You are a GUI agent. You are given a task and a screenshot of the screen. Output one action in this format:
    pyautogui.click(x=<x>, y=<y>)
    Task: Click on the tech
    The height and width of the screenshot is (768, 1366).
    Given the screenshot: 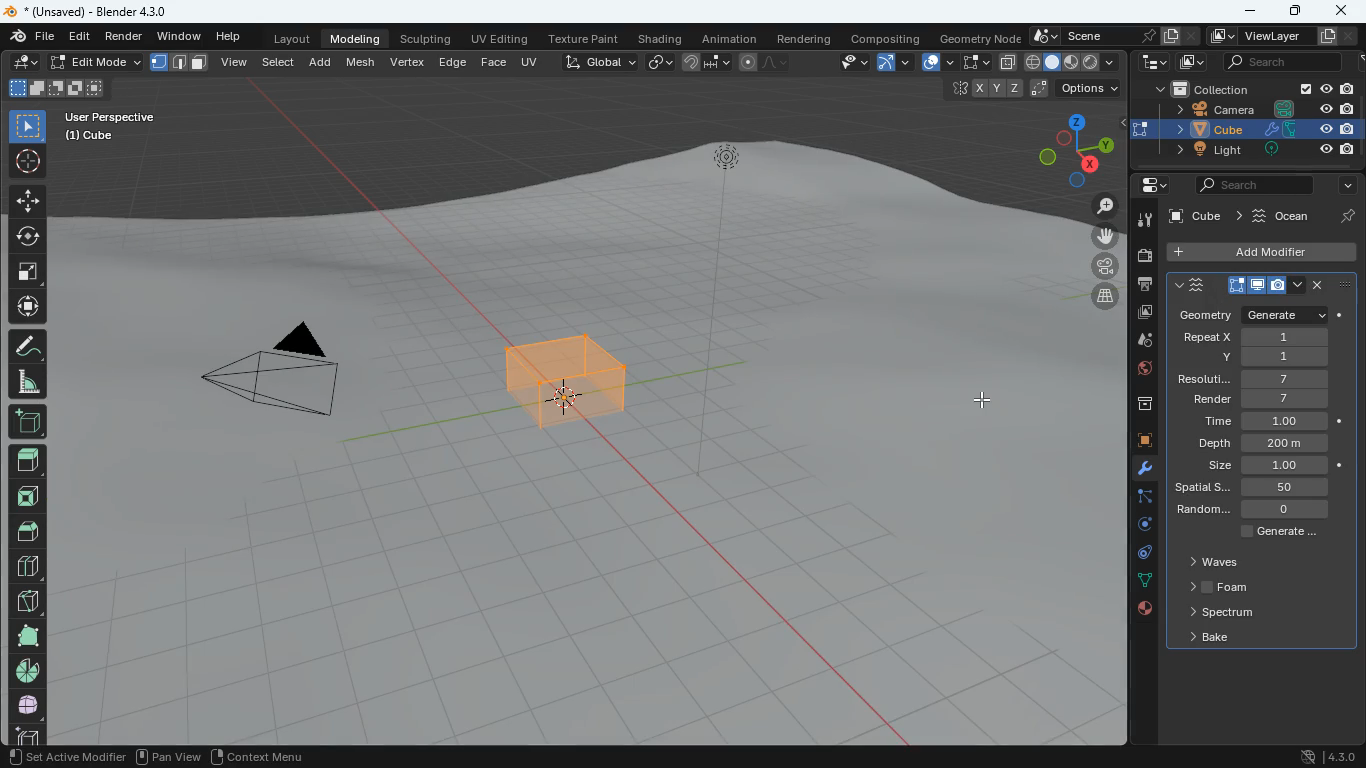 What is the action you would take?
    pyautogui.click(x=1151, y=62)
    